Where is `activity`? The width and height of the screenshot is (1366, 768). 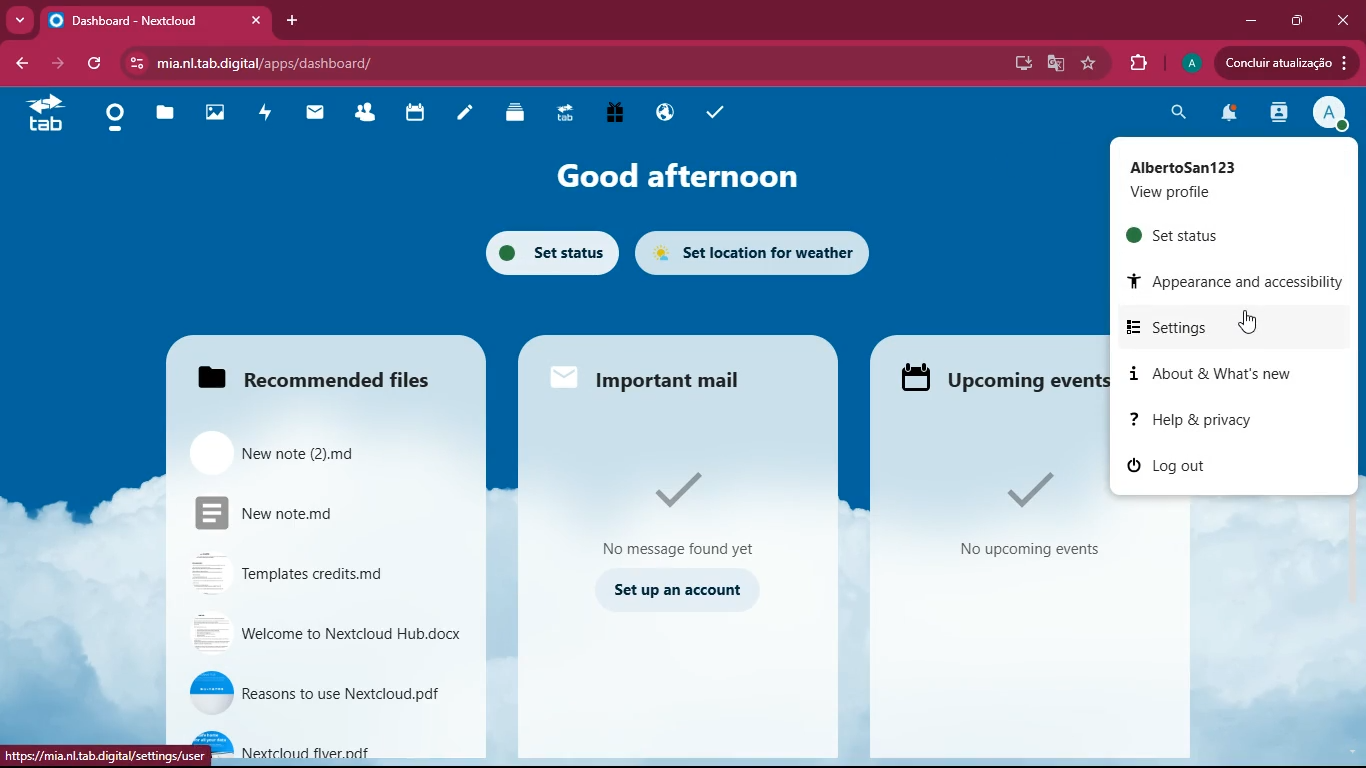
activity is located at coordinates (1276, 113).